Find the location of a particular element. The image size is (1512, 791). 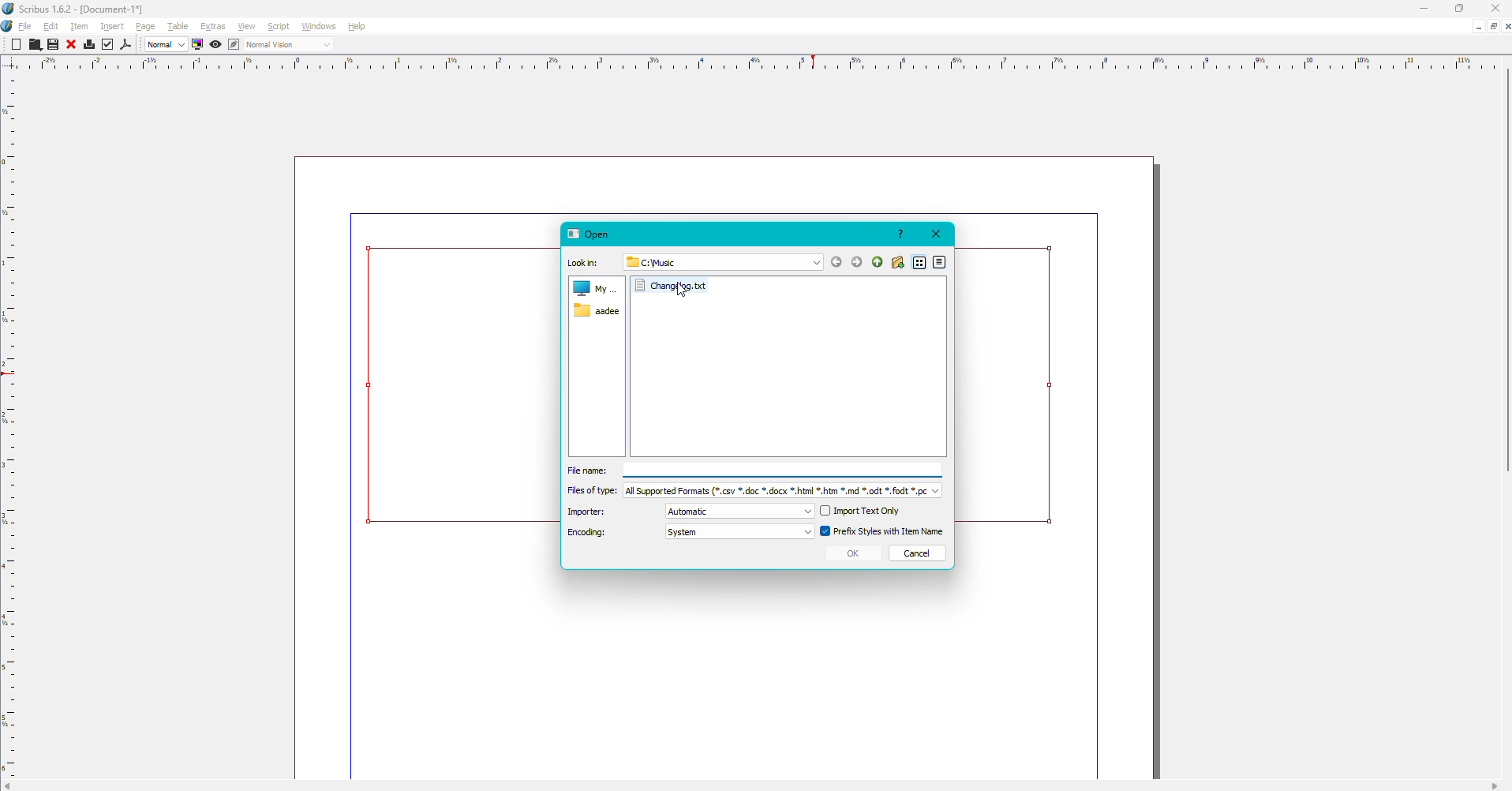

Display is located at coordinates (196, 45).